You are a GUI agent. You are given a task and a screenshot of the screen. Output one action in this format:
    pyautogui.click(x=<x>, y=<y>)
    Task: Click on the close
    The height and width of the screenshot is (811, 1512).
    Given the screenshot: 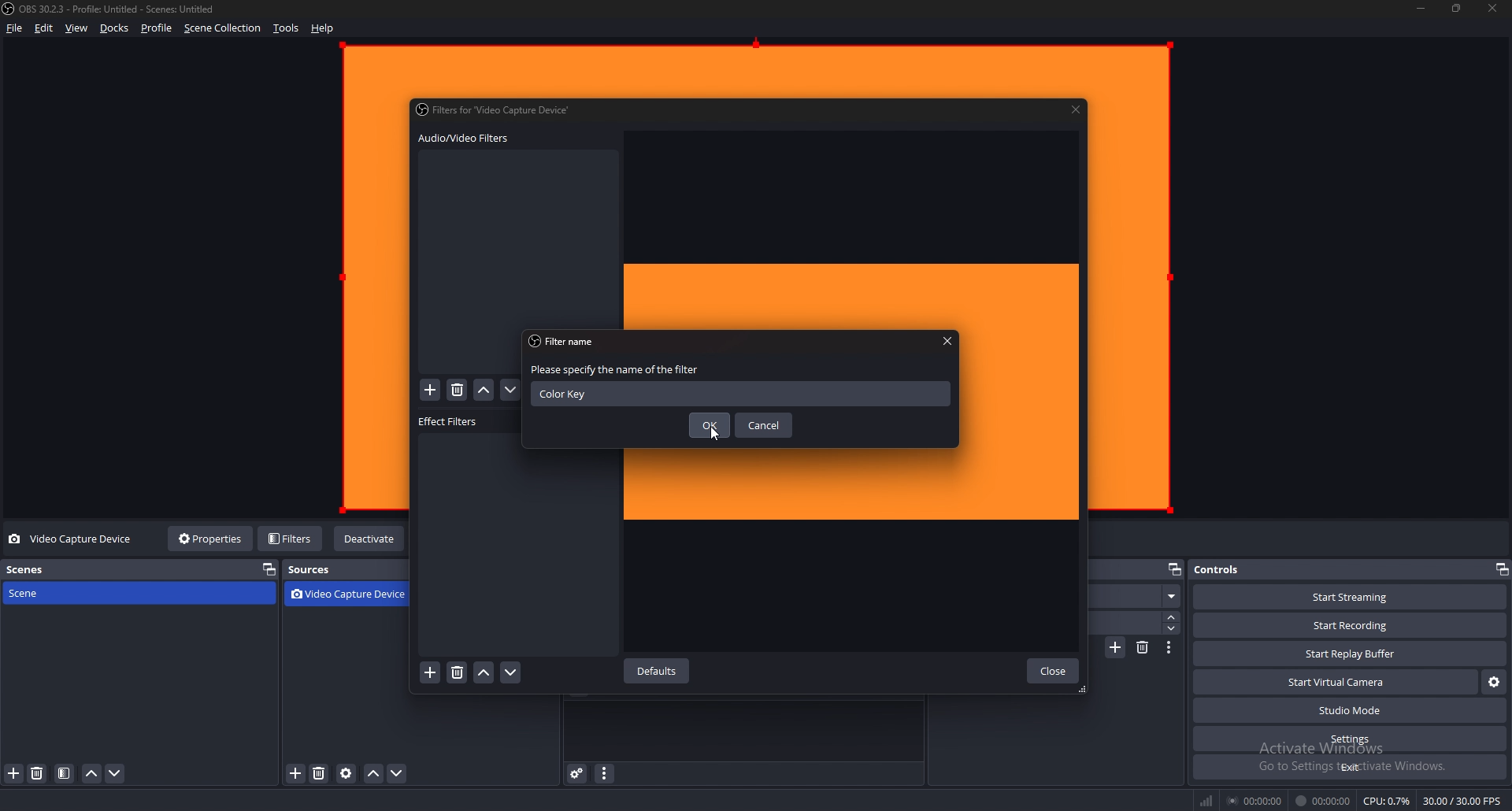 What is the action you would take?
    pyautogui.click(x=948, y=342)
    